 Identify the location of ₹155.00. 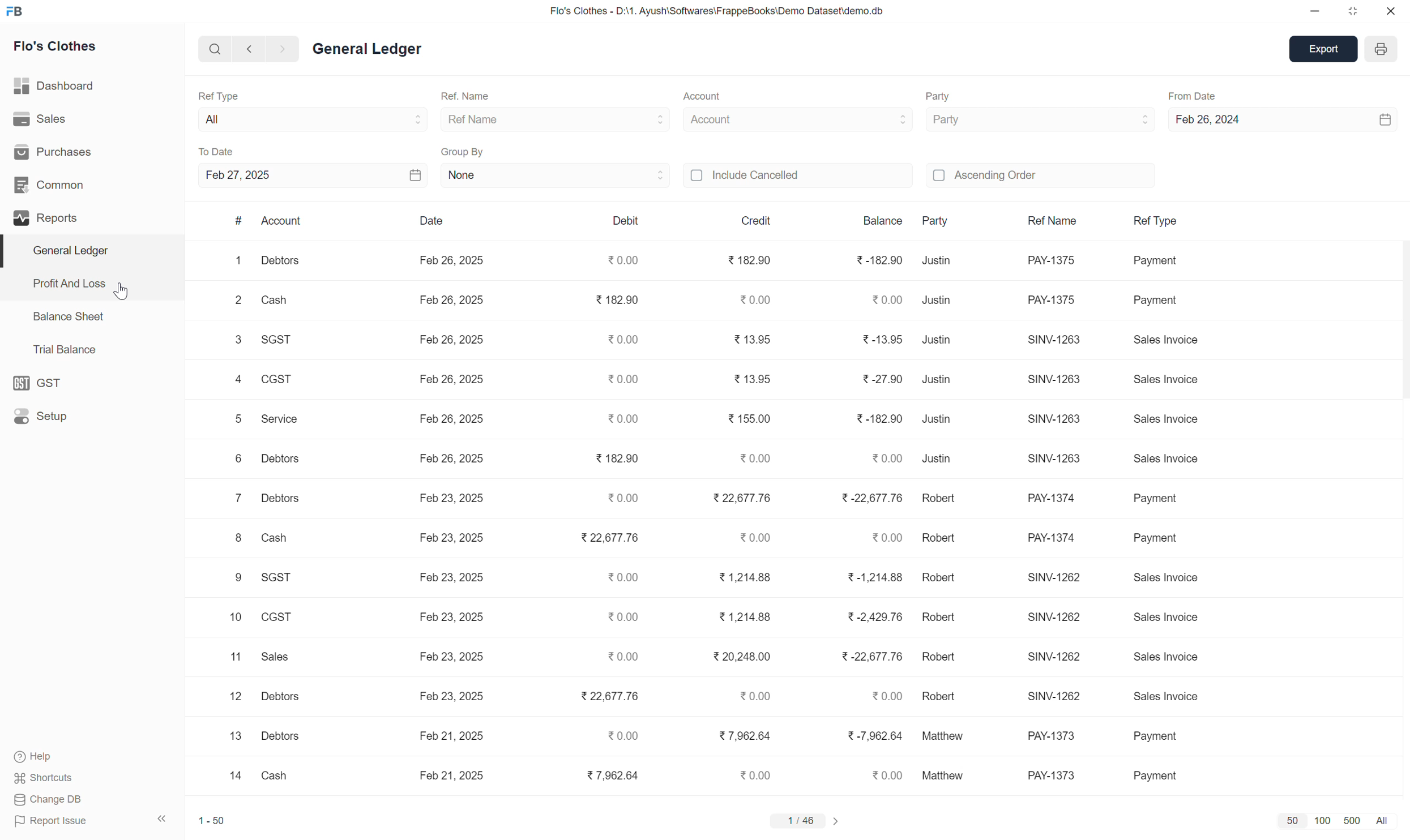
(747, 419).